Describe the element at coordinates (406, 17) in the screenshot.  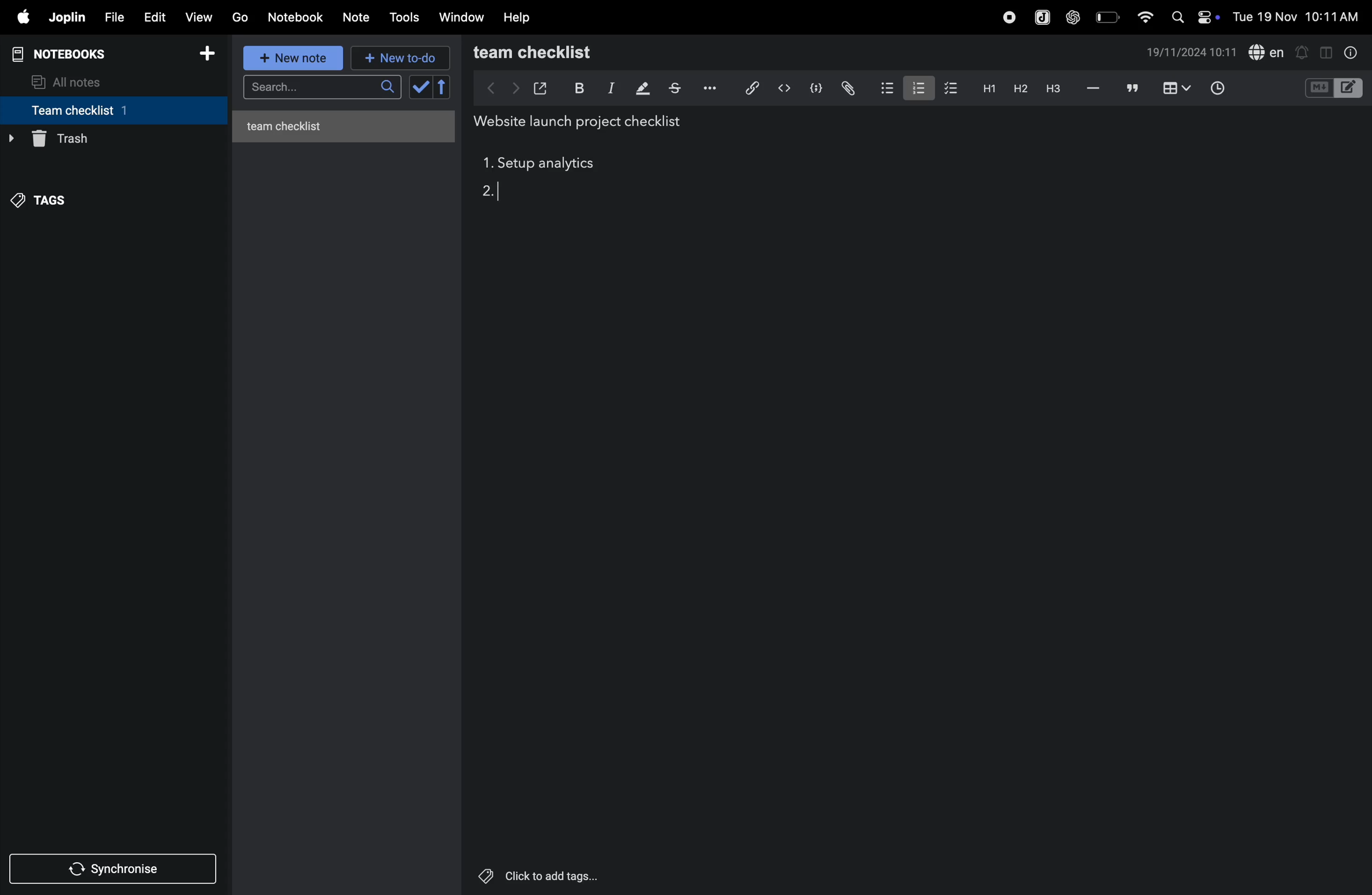
I see `tools` at that location.